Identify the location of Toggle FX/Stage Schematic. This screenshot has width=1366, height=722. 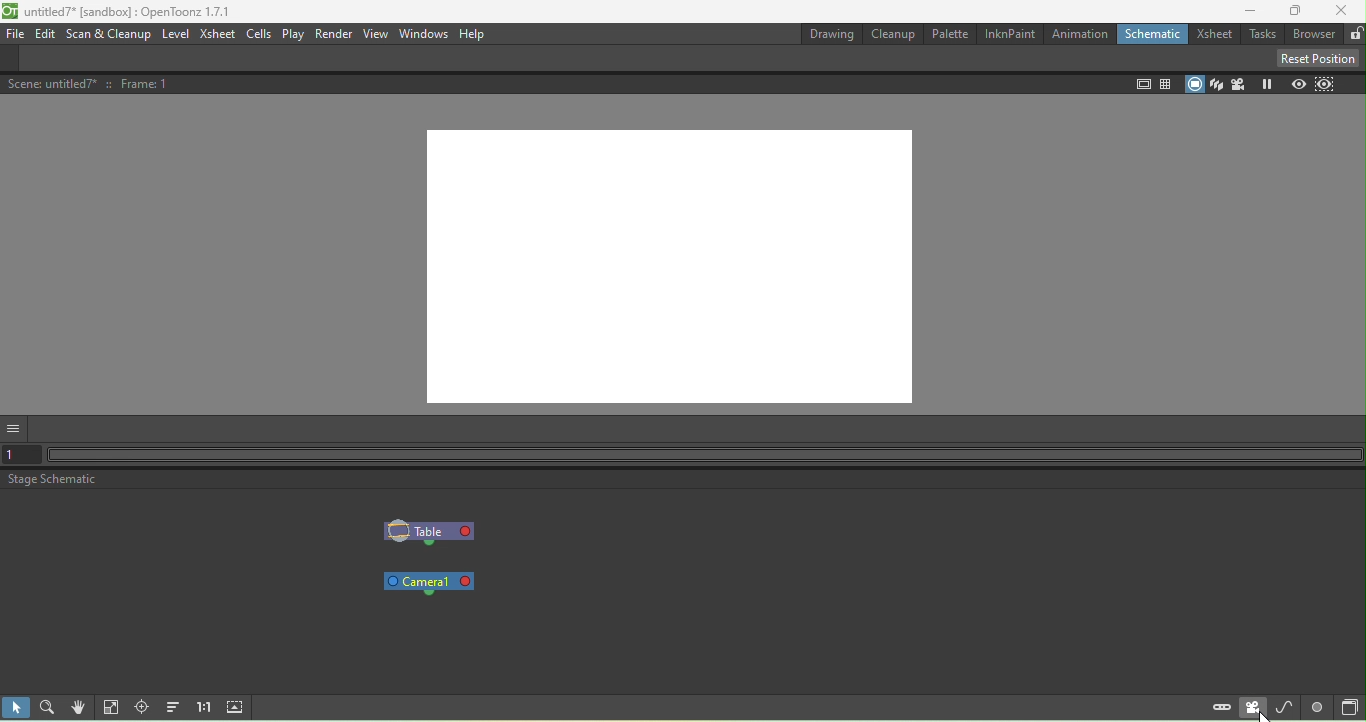
(1346, 707).